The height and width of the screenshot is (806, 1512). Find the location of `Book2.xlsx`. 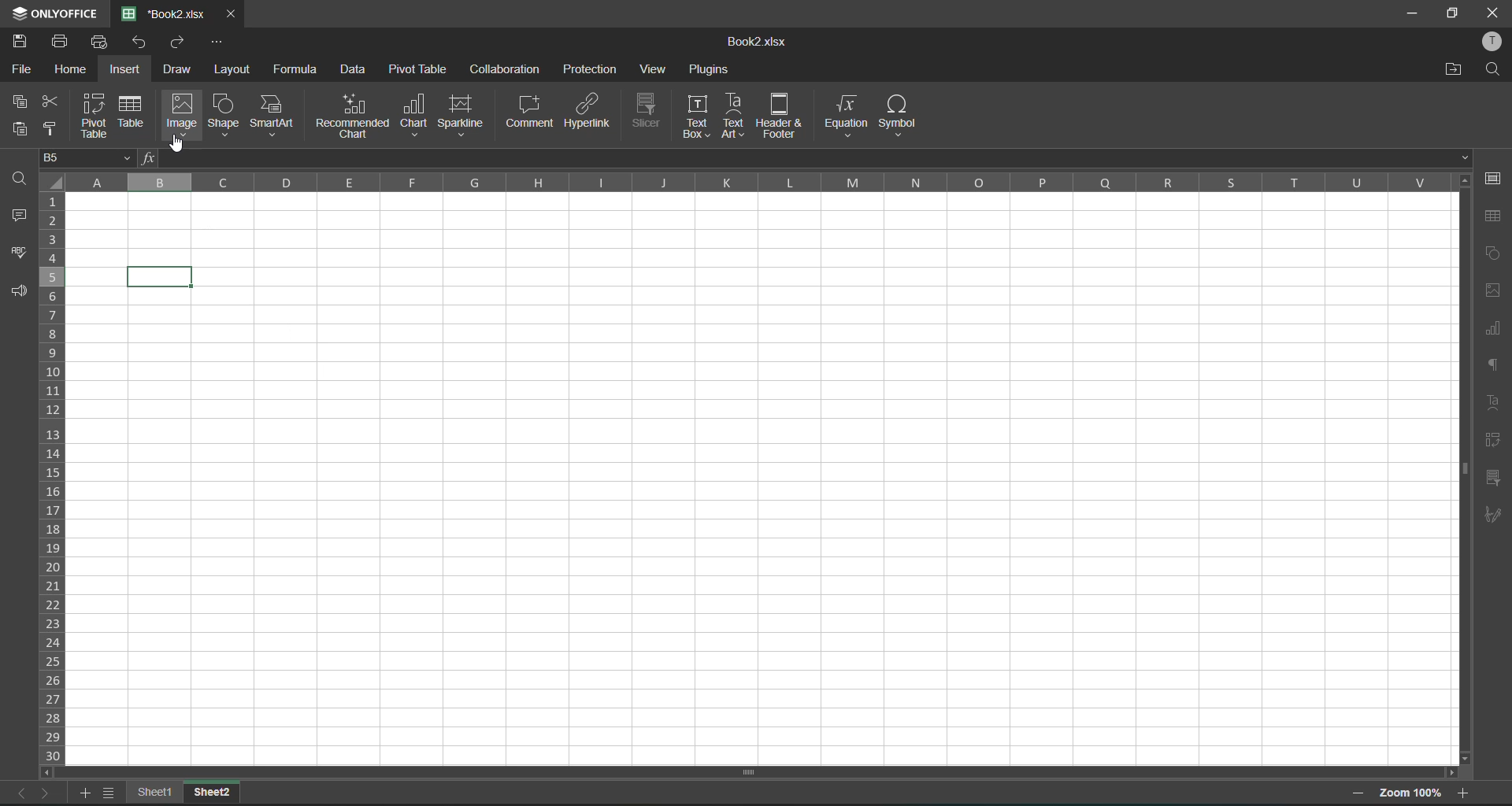

Book2.xlsx is located at coordinates (751, 43).